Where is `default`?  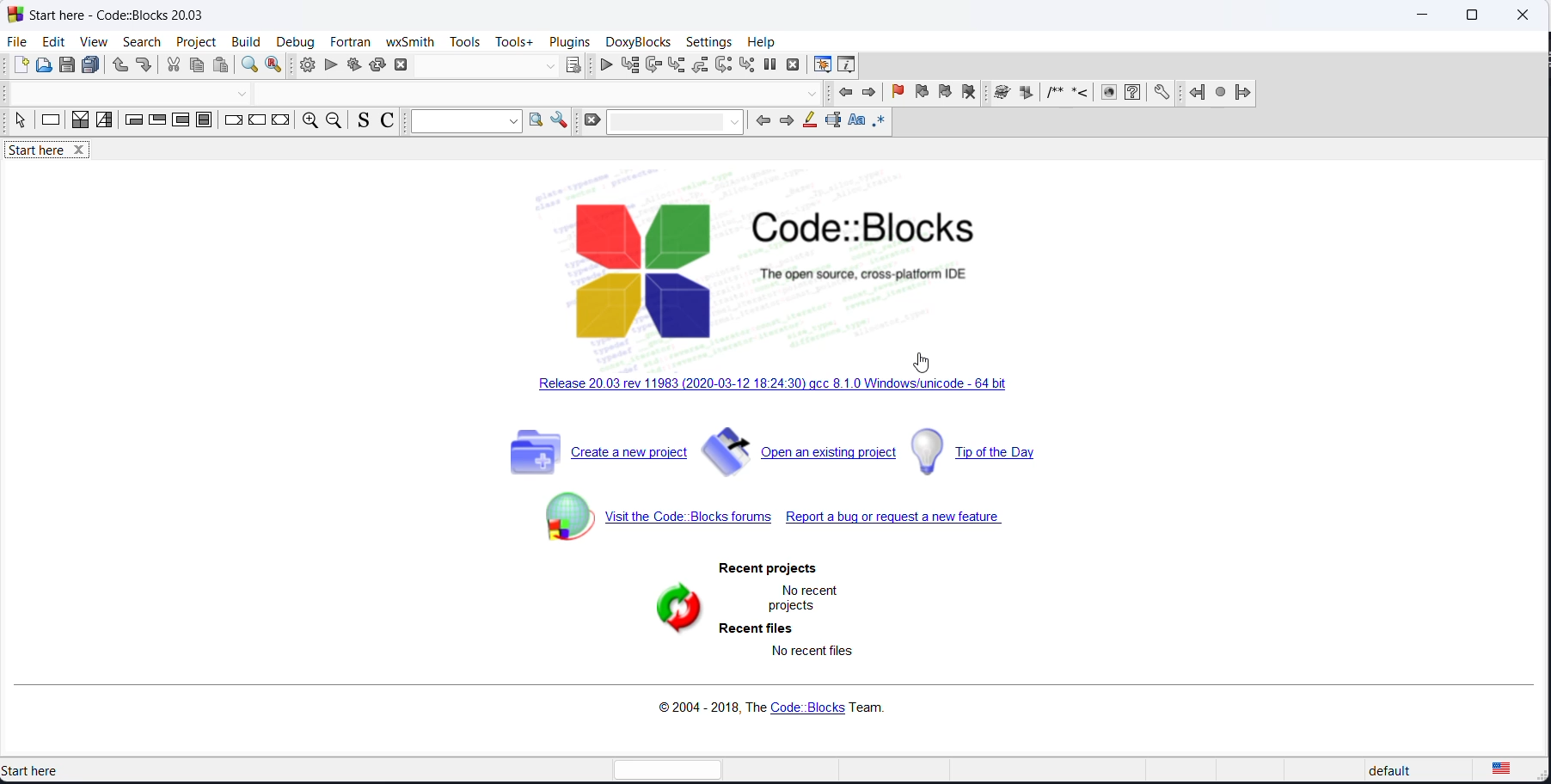
default is located at coordinates (1385, 772).